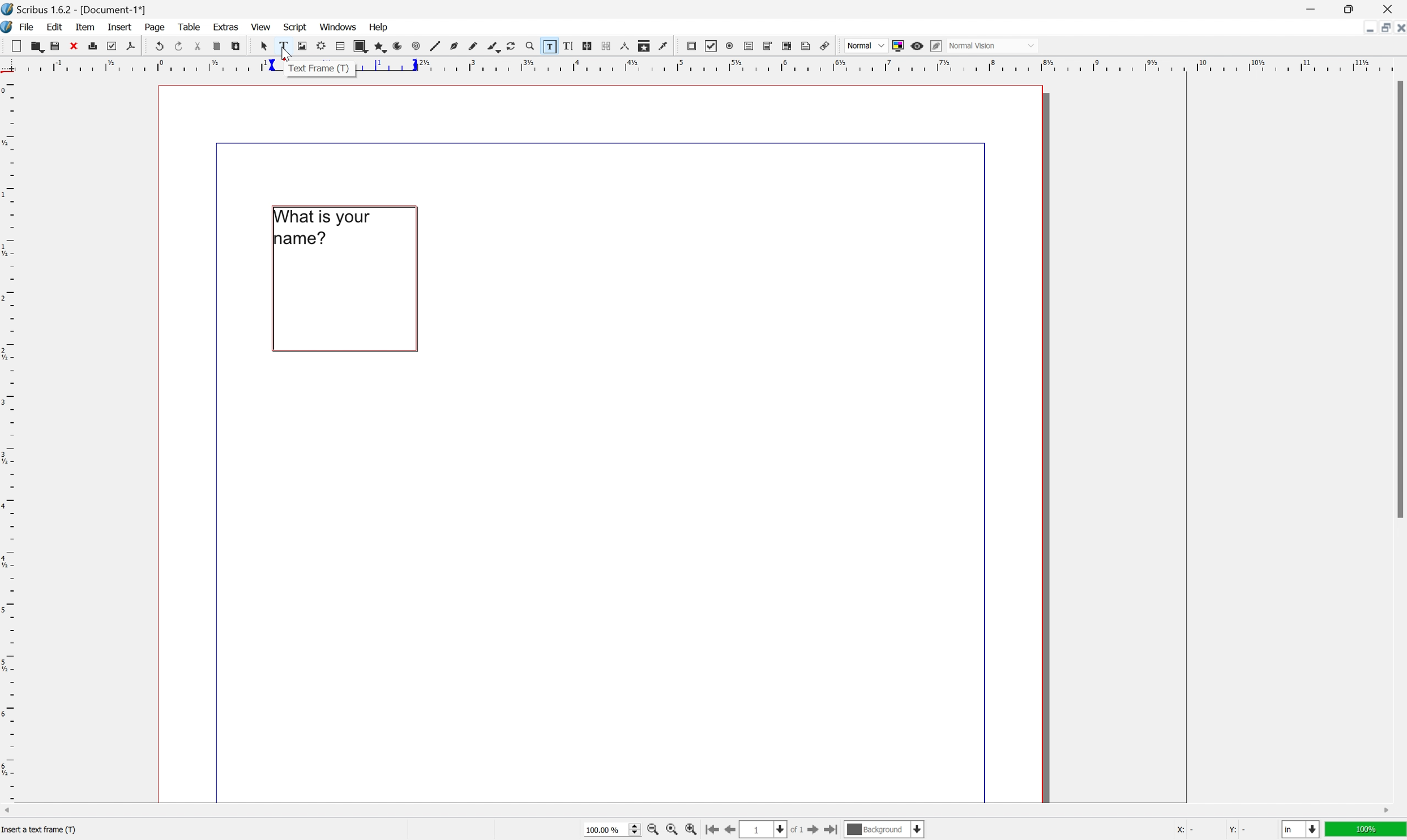 The height and width of the screenshot is (840, 1407). Describe the element at coordinates (119, 25) in the screenshot. I see `insert` at that location.